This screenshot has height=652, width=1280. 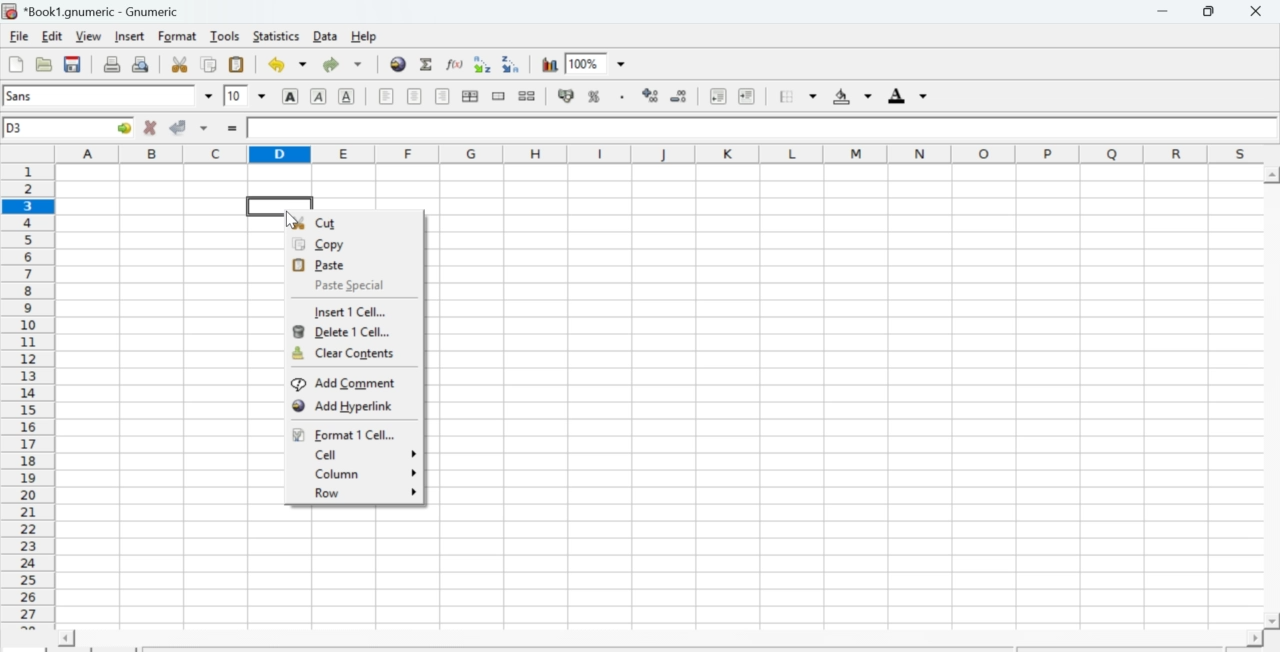 I want to click on Border, so click(x=798, y=97).